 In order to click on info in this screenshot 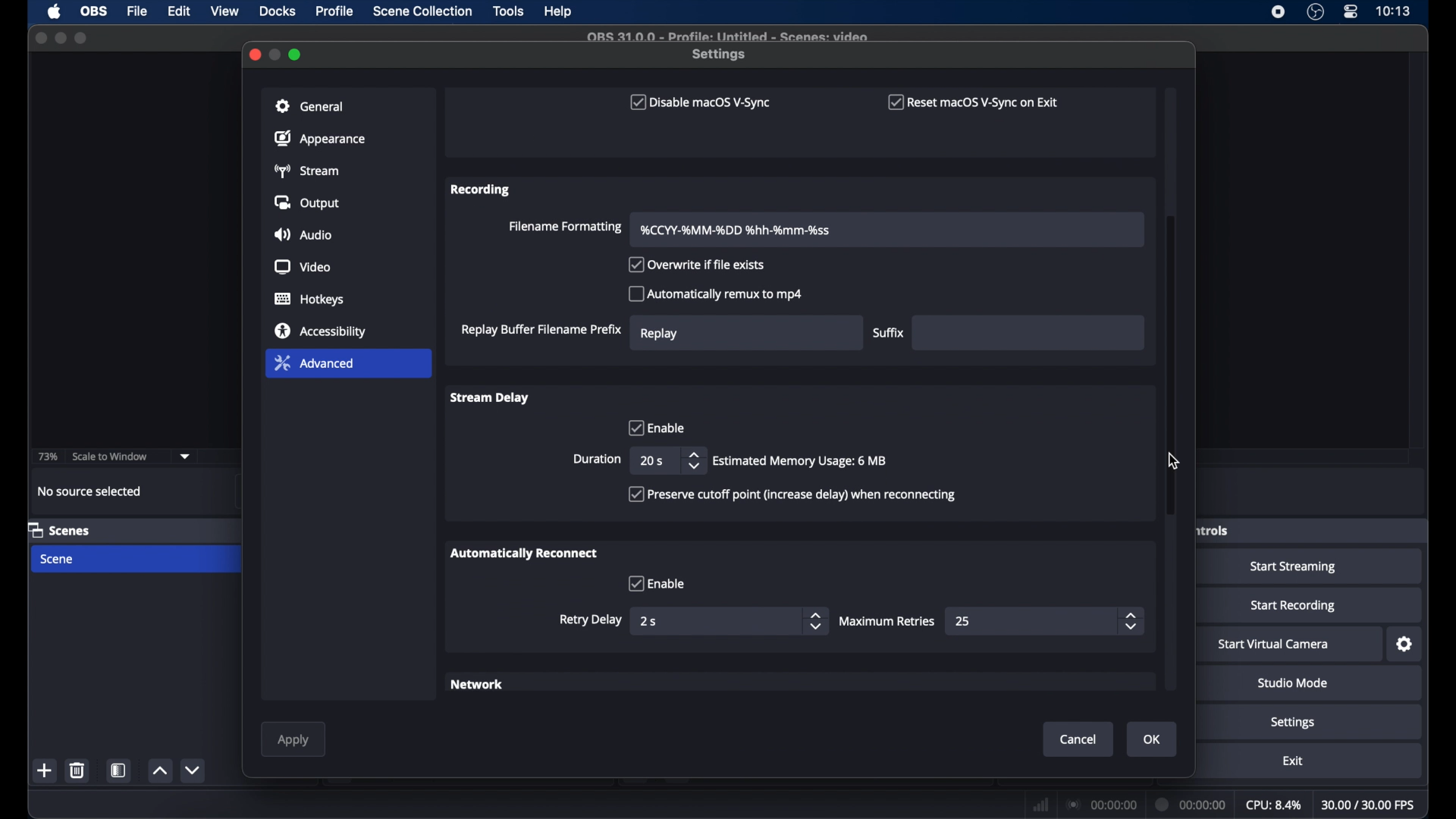, I will do `click(801, 461)`.